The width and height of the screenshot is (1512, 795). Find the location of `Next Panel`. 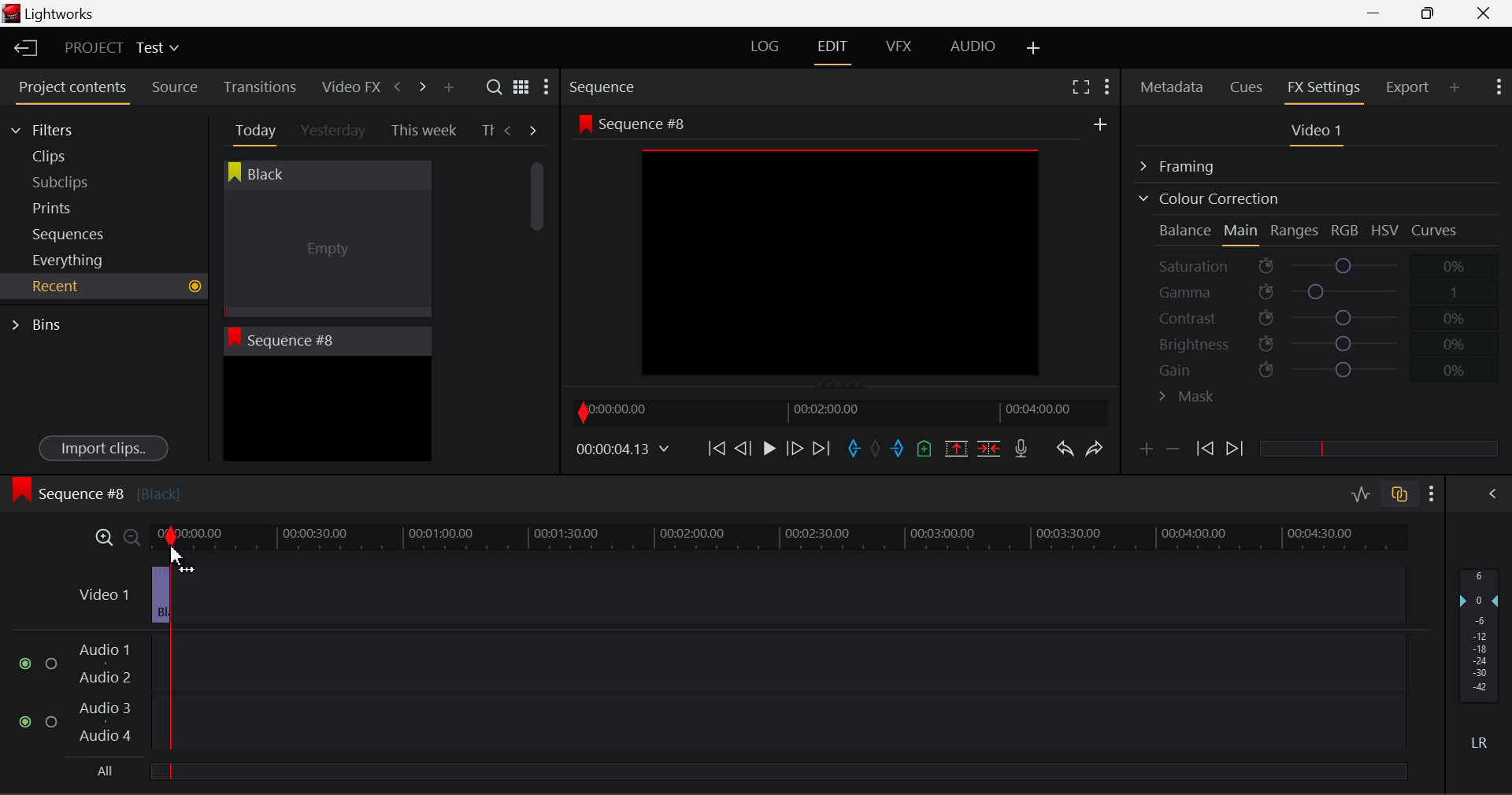

Next Panel is located at coordinates (420, 86).